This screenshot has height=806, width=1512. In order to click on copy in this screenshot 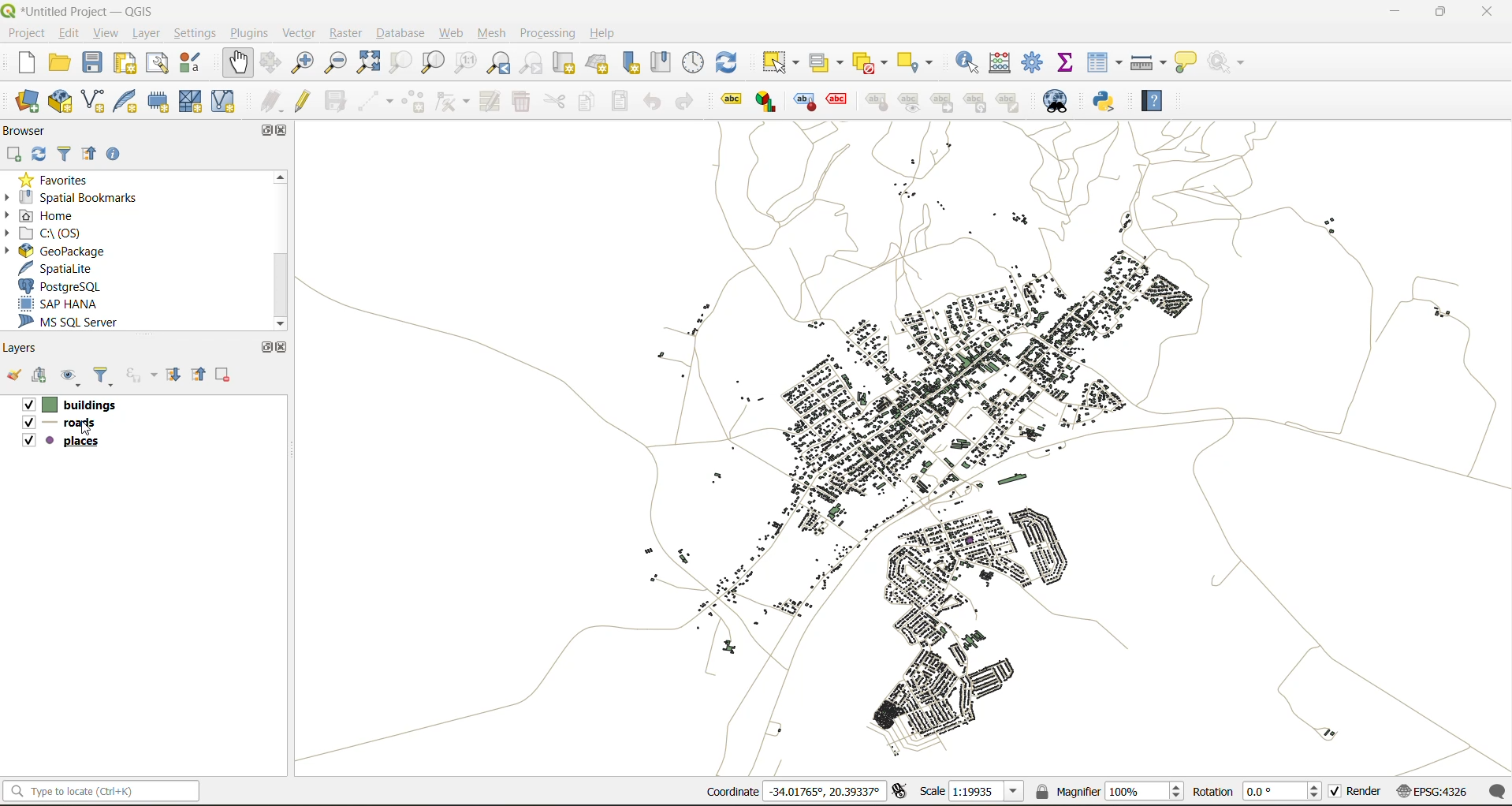, I will do `click(583, 103)`.